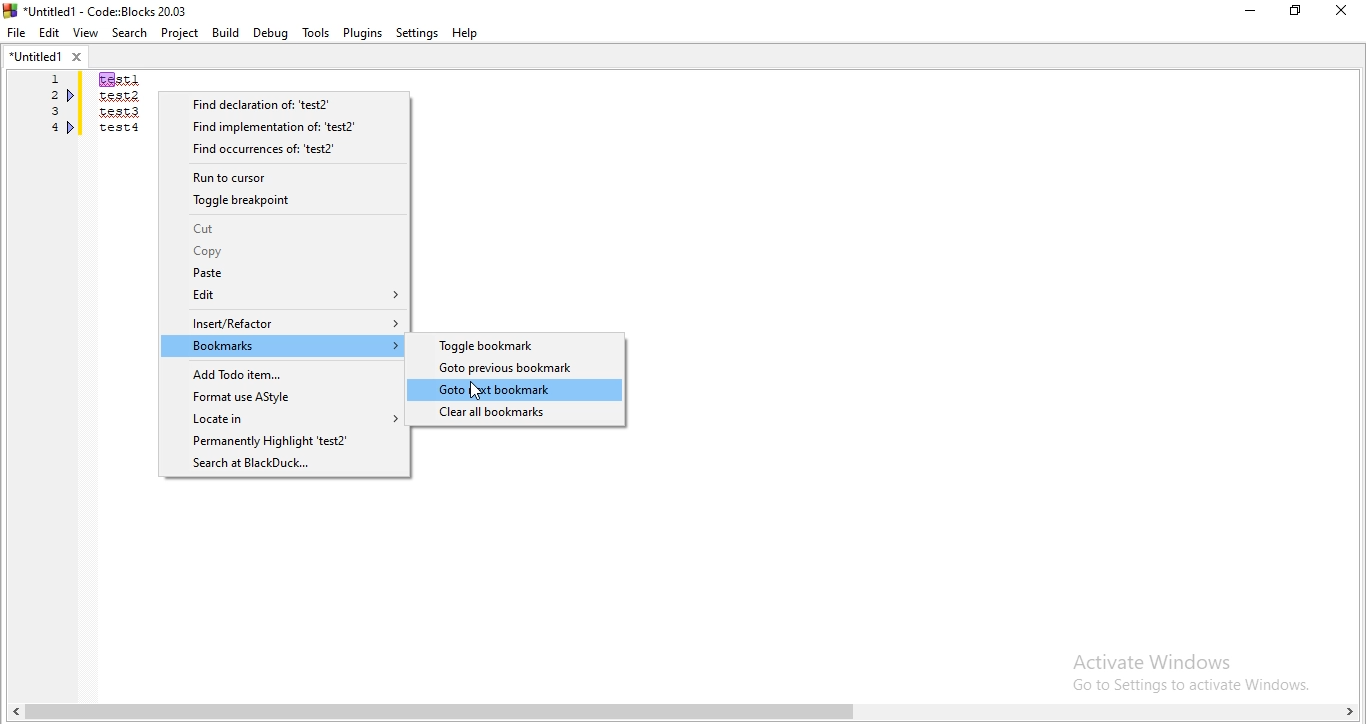 This screenshot has width=1366, height=724. What do you see at coordinates (1248, 12) in the screenshot?
I see `minimize` at bounding box center [1248, 12].